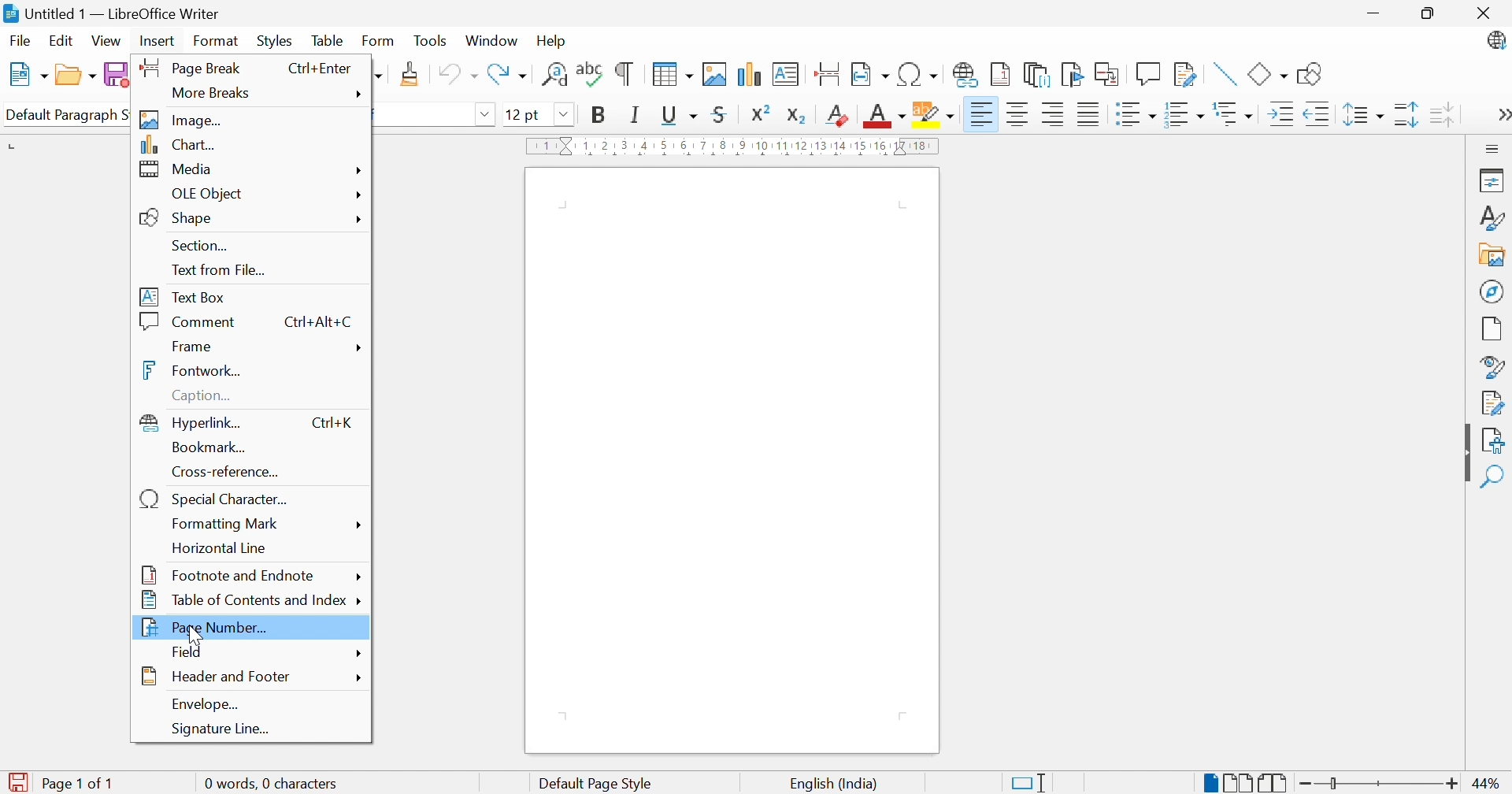  I want to click on Caption..., so click(208, 397).